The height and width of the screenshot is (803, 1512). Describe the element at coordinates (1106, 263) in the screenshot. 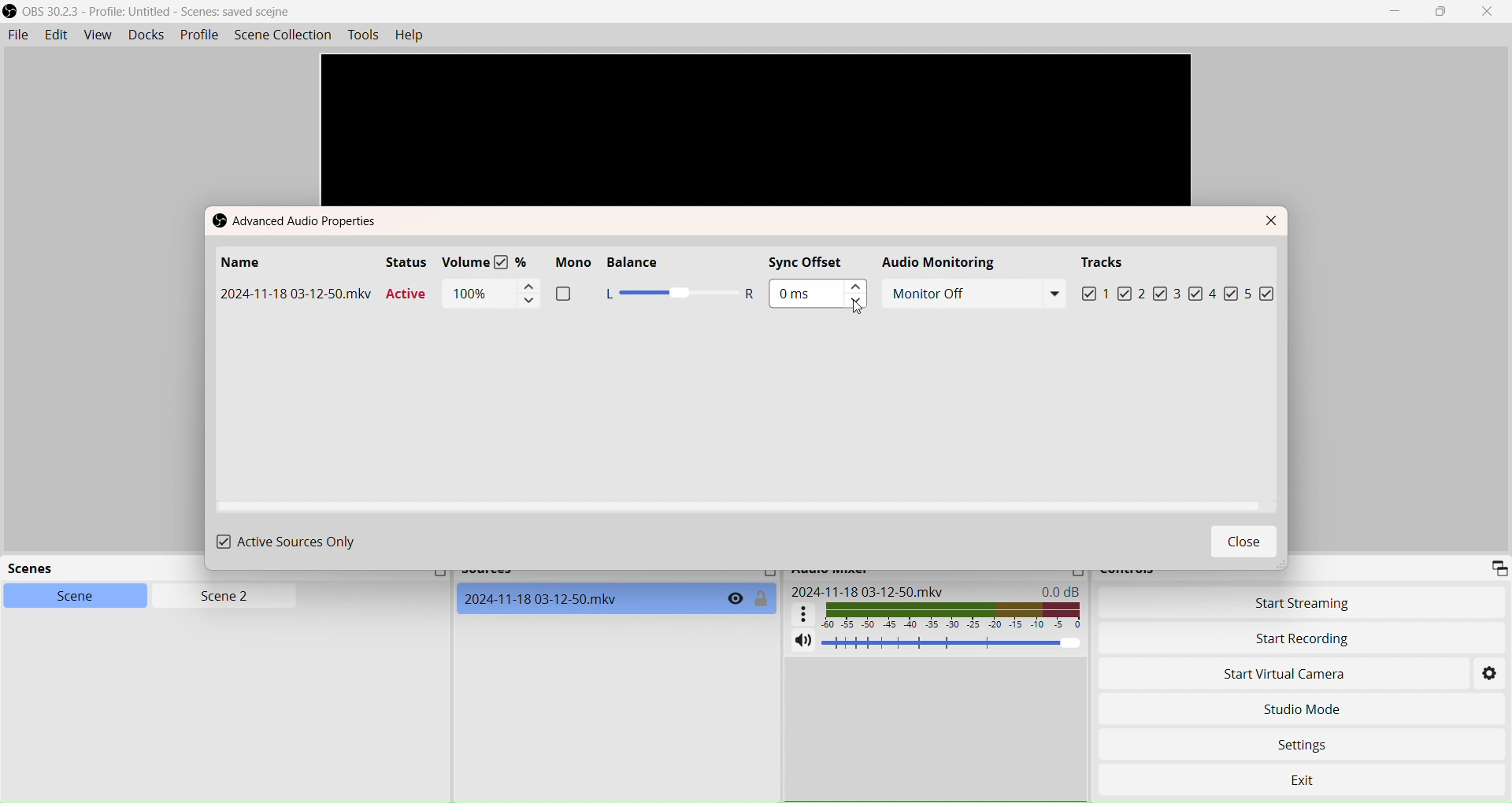

I see `Tracks` at that location.